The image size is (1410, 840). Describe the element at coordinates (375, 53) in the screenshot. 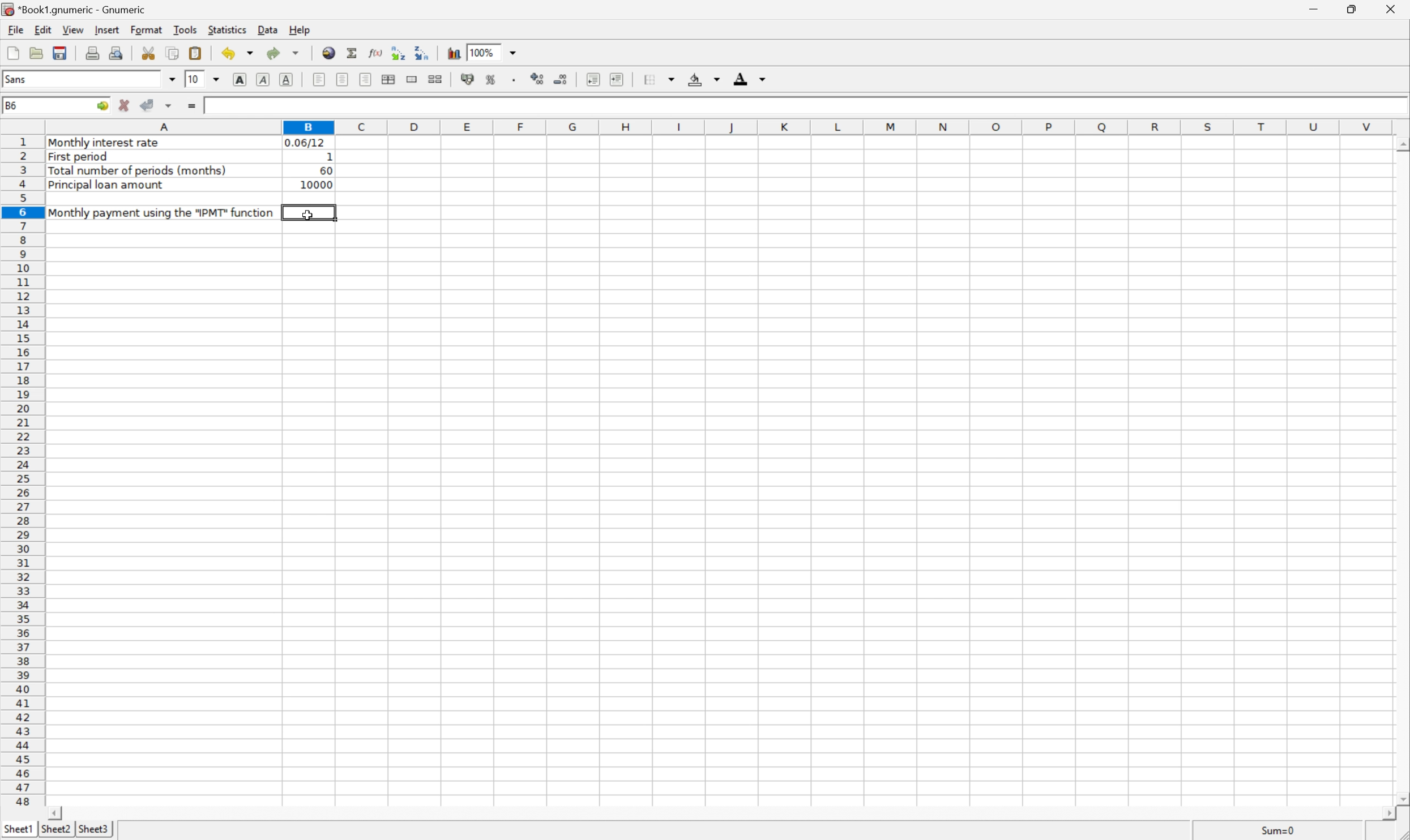

I see `Edit function in current cell` at that location.